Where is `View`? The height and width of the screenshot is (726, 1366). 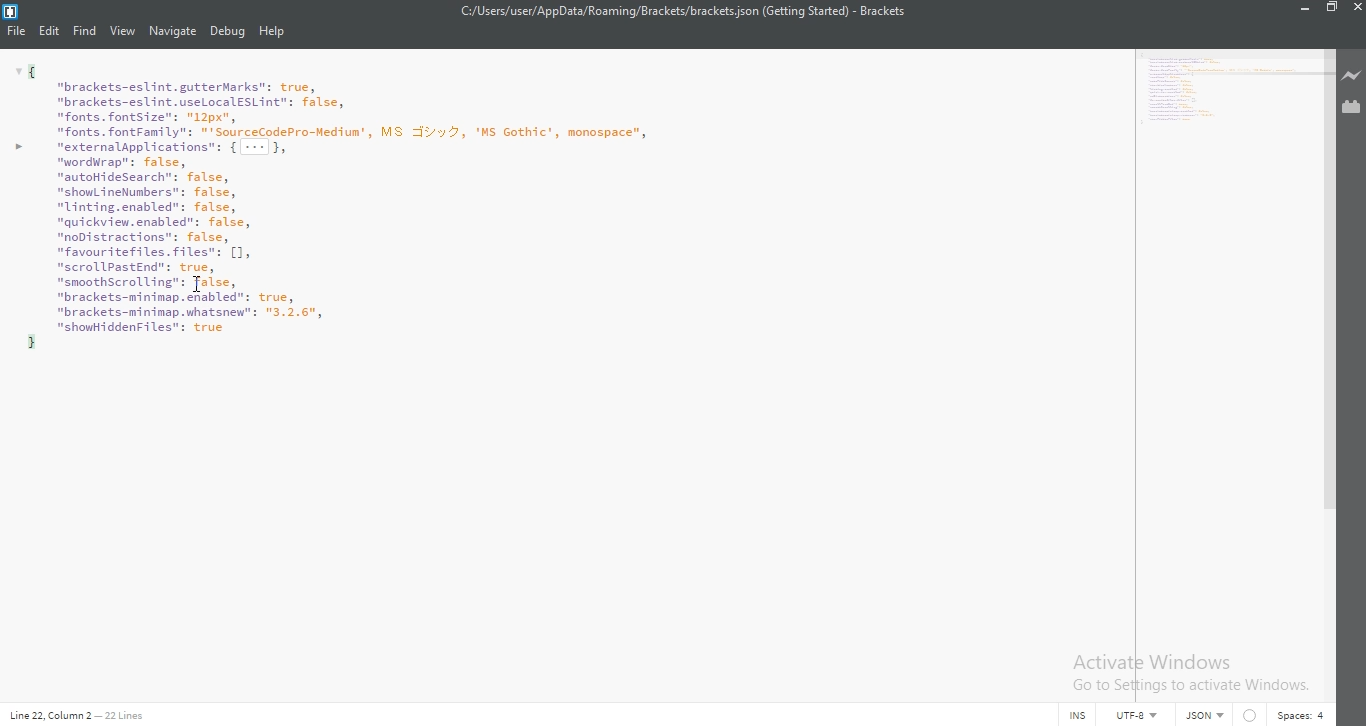 View is located at coordinates (123, 32).